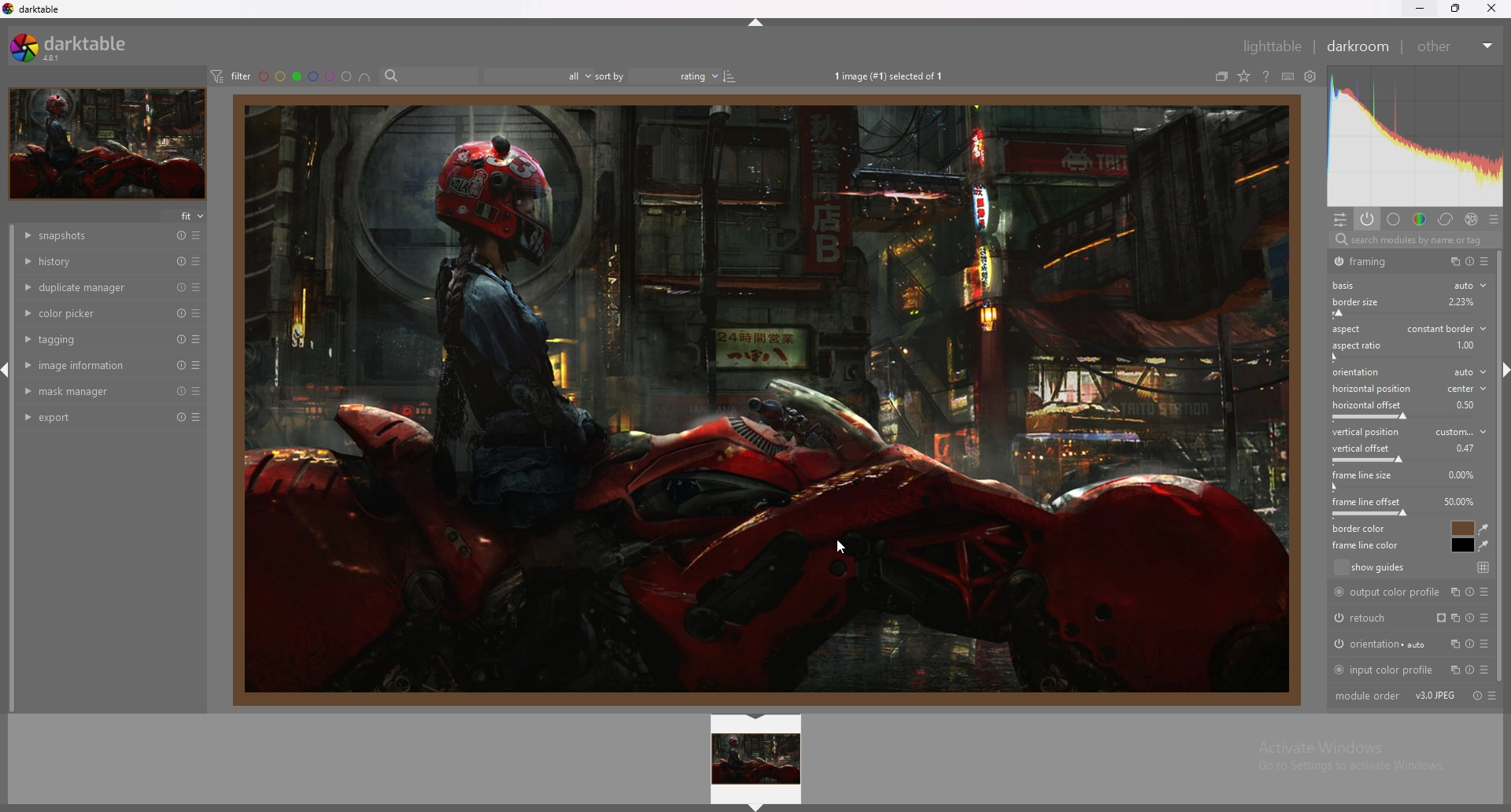  Describe the element at coordinates (106, 145) in the screenshot. I see `target image minimized` at that location.